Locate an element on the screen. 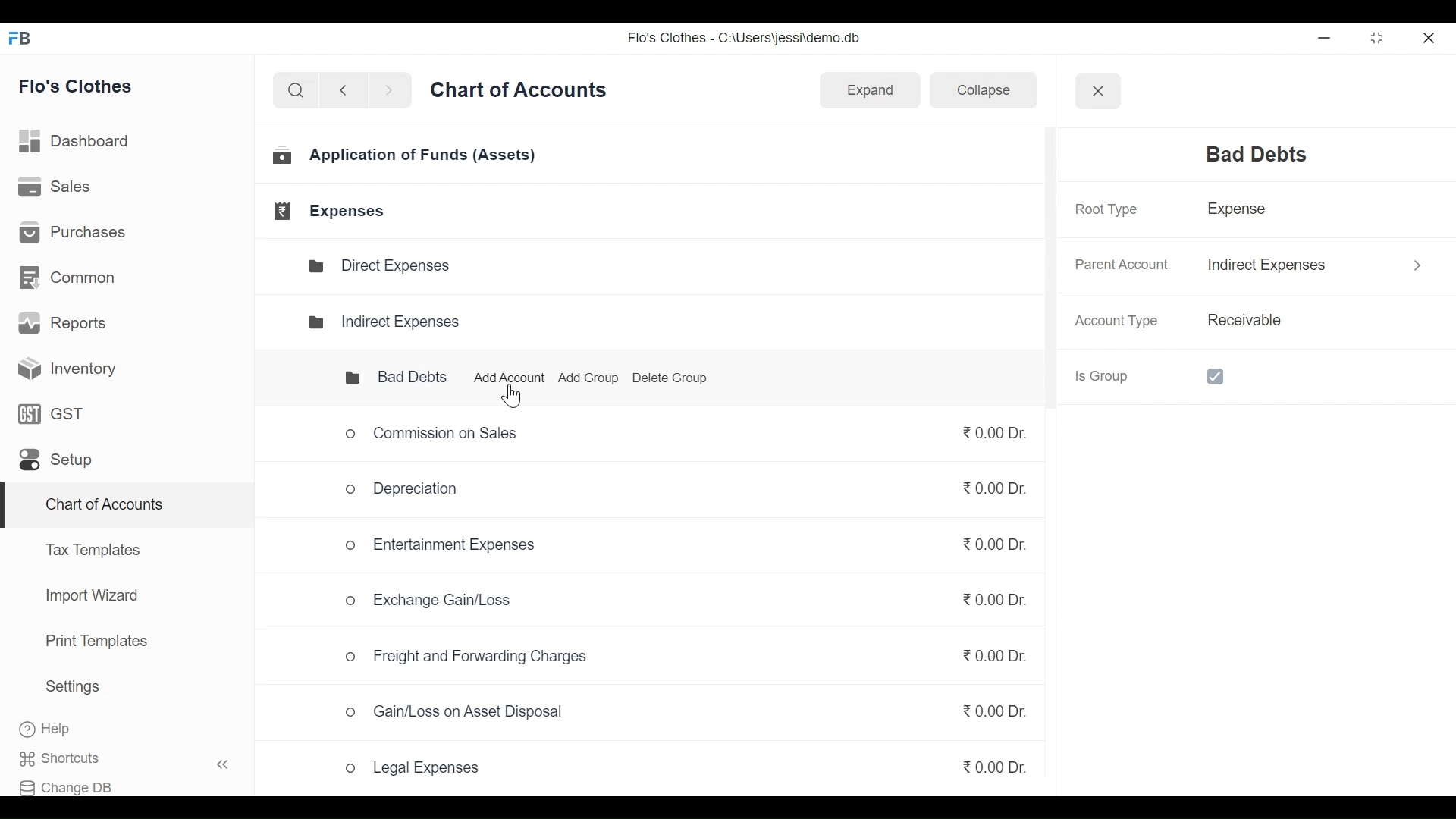 Image resolution: width=1456 pixels, height=819 pixels. Add Account is located at coordinates (510, 378).